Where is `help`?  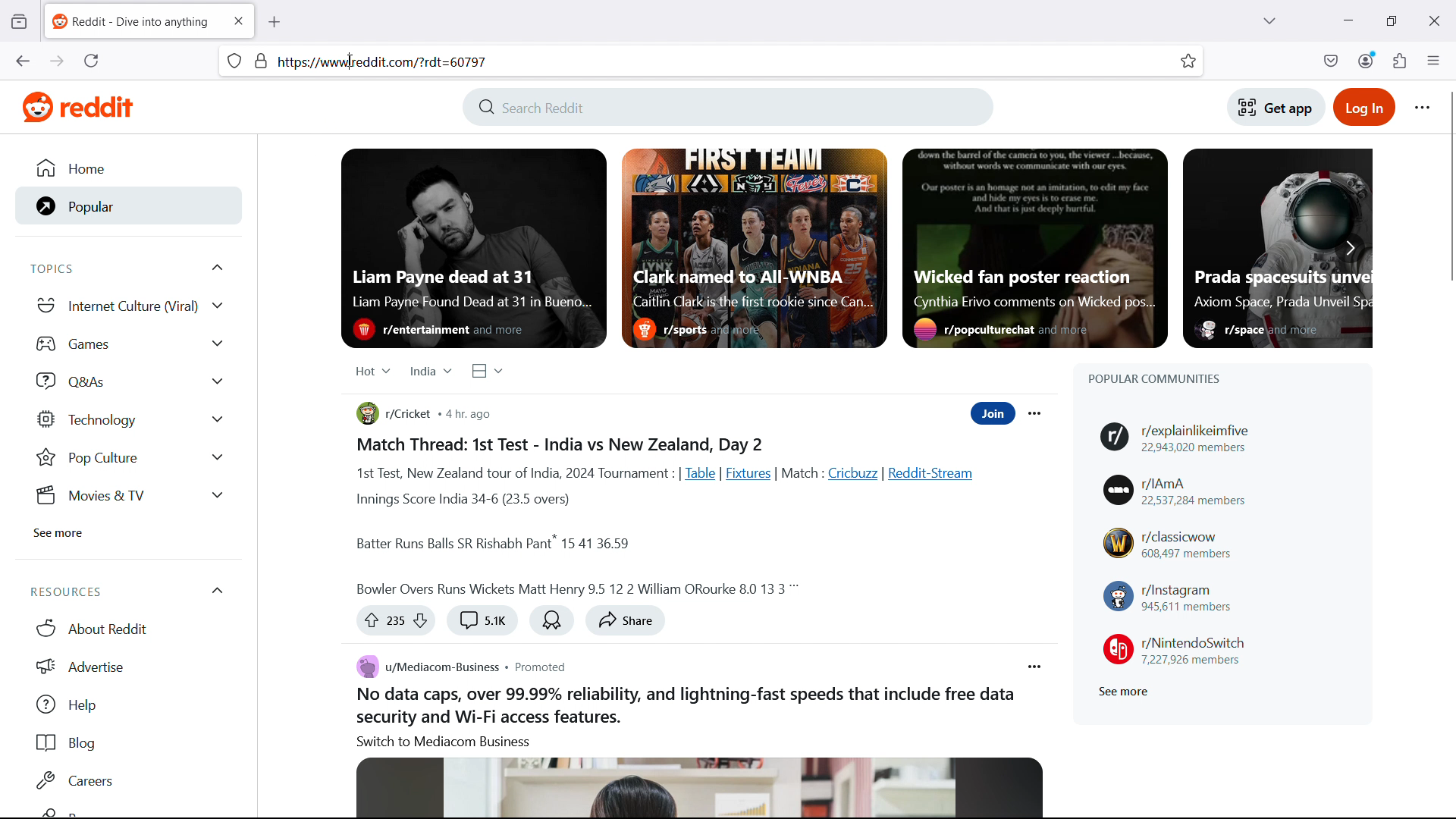 help is located at coordinates (127, 705).